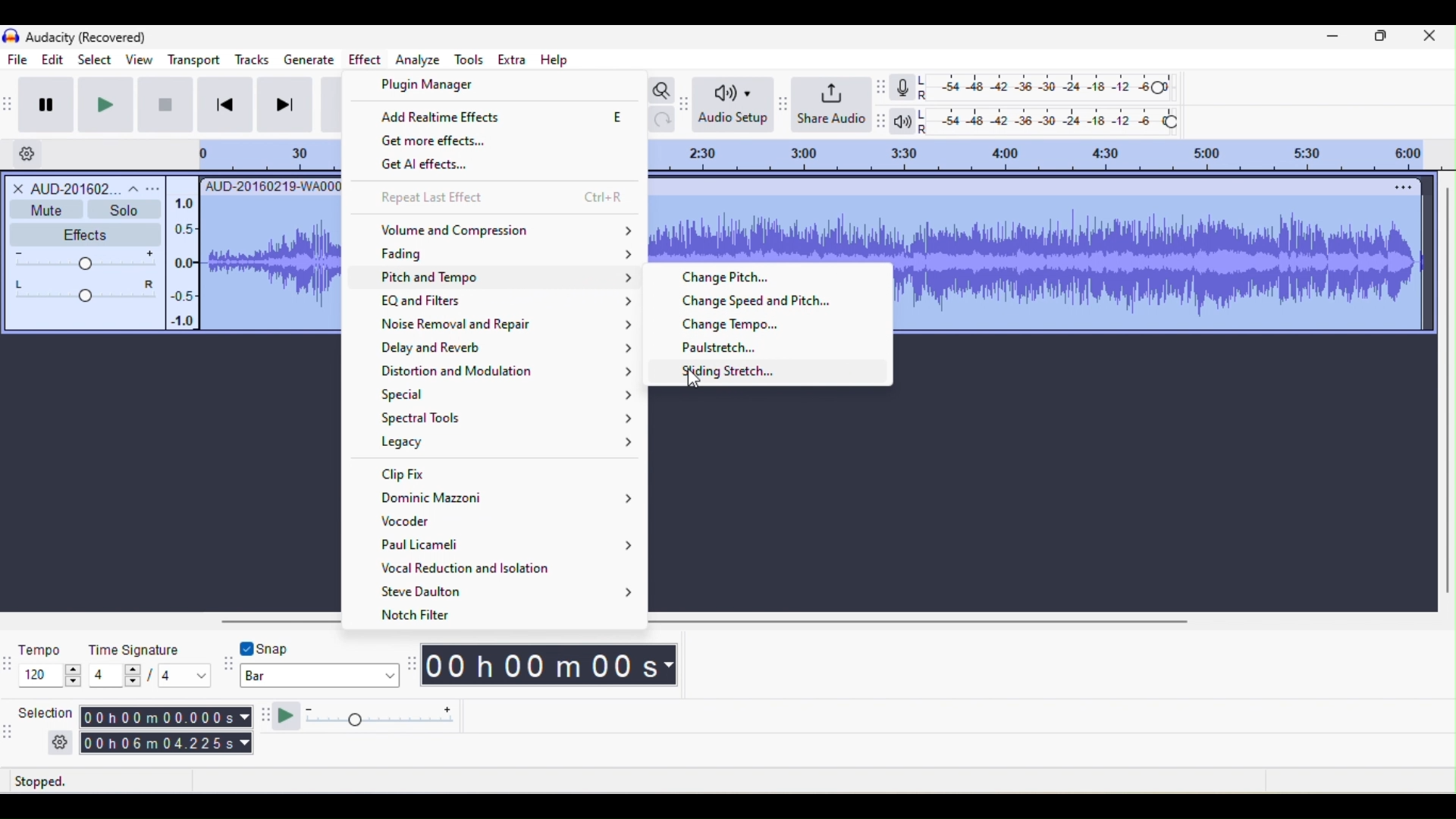 This screenshot has height=819, width=1456. Describe the element at coordinates (417, 62) in the screenshot. I see `analyze` at that location.